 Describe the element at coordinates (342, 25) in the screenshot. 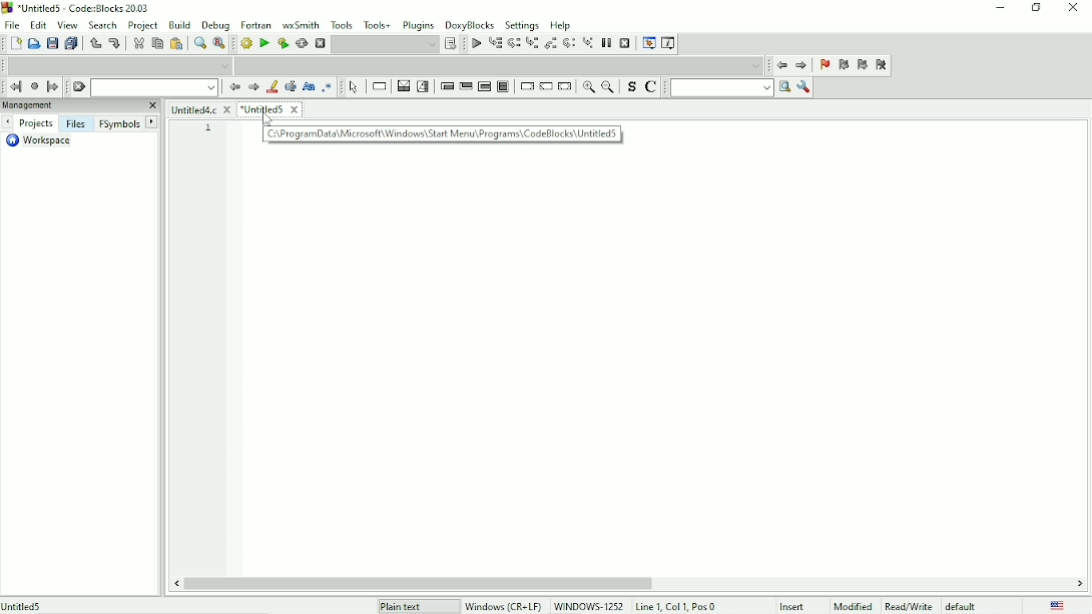

I see `Tools` at that location.